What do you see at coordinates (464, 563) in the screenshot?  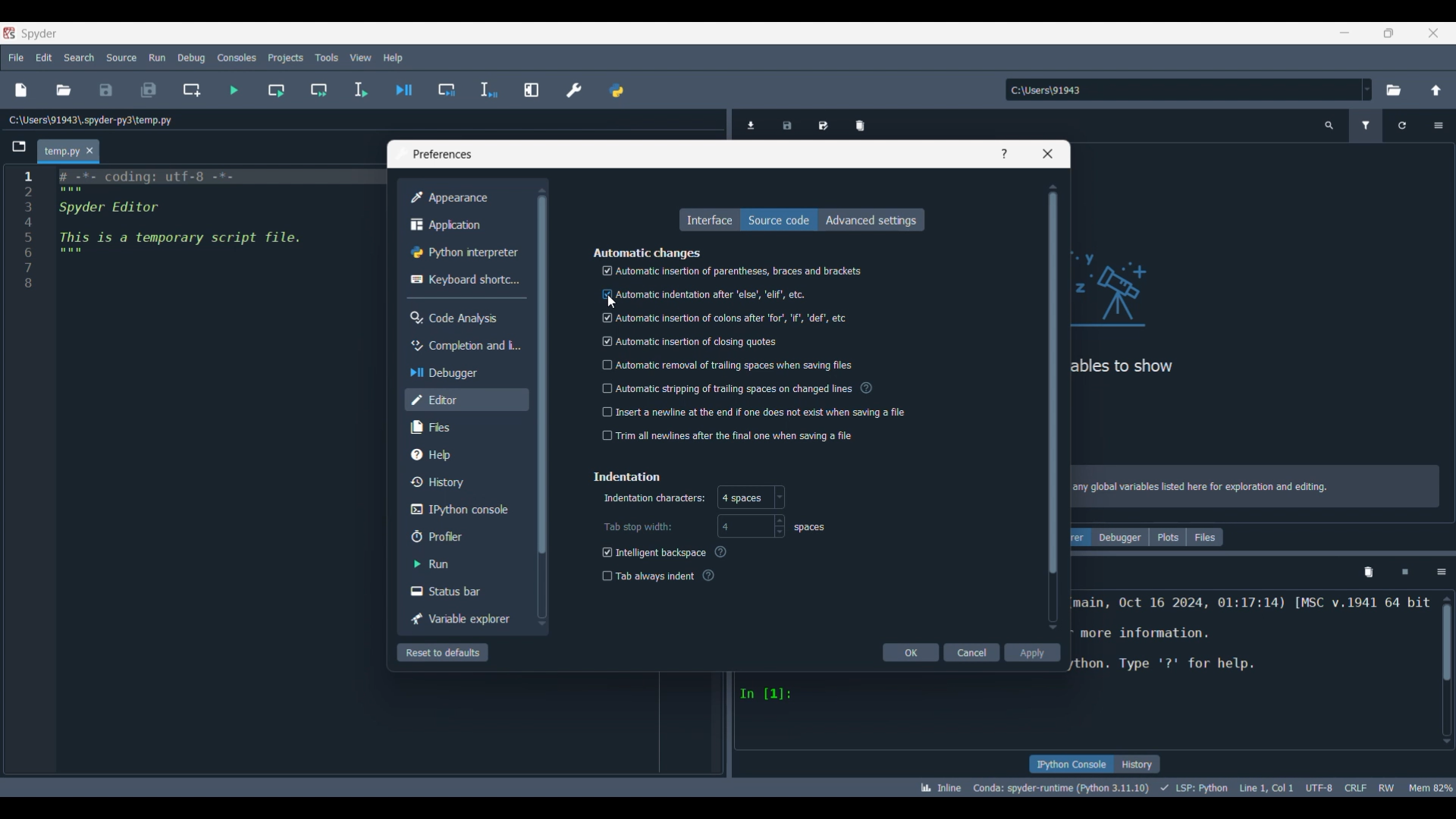 I see `Run` at bounding box center [464, 563].